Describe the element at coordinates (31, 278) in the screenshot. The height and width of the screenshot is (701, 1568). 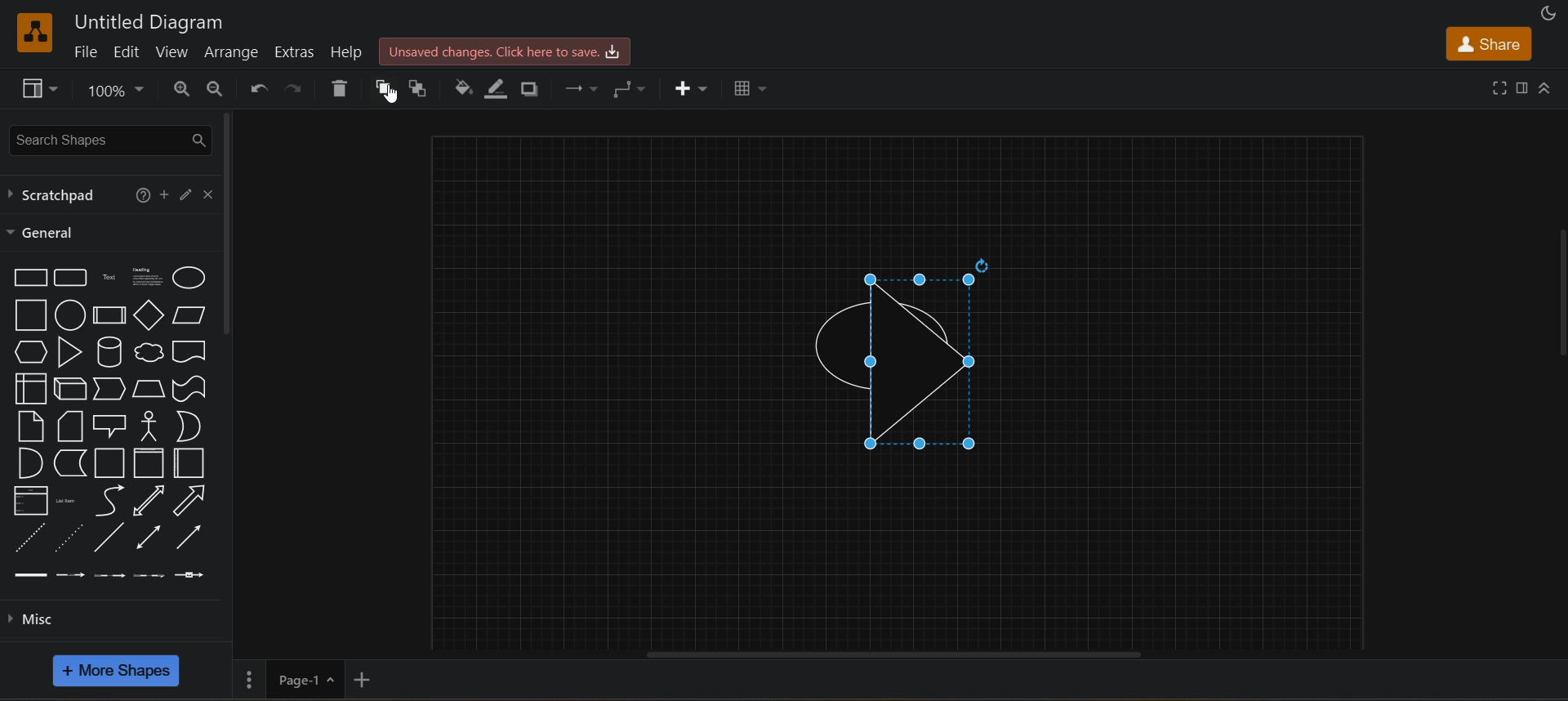
I see `rectangle` at that location.